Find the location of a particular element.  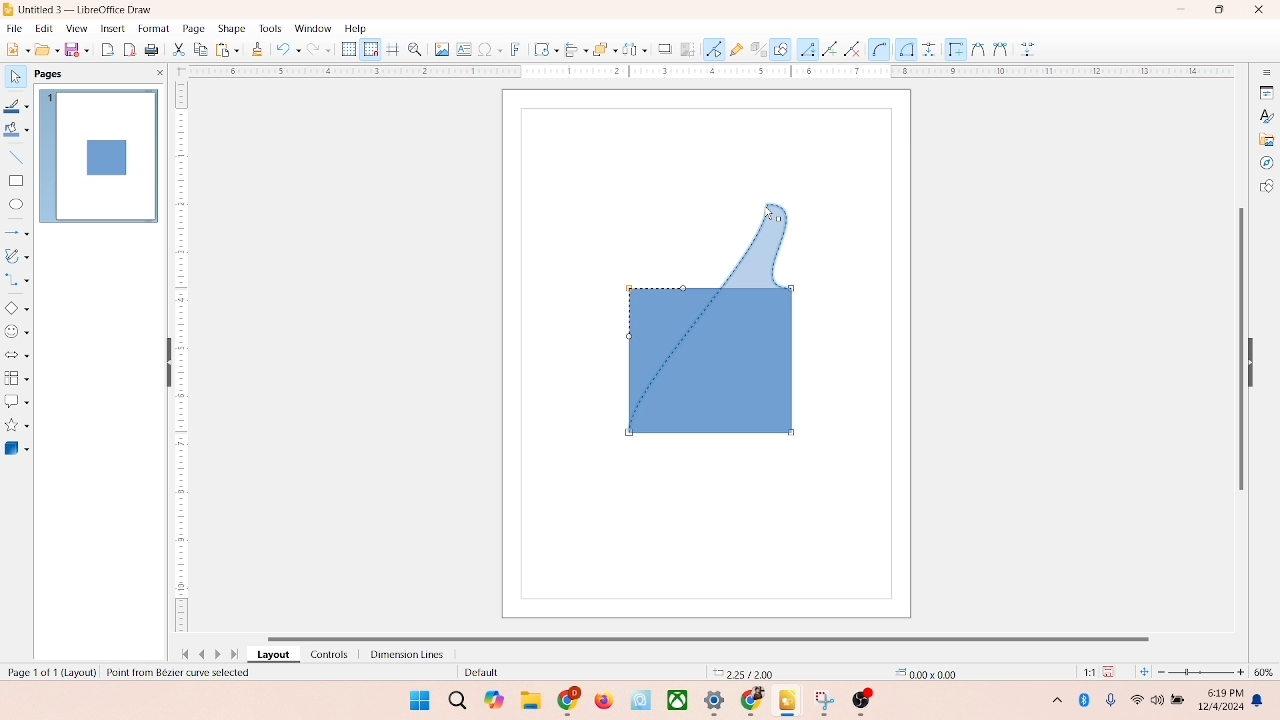

shapes is located at coordinates (1266, 188).